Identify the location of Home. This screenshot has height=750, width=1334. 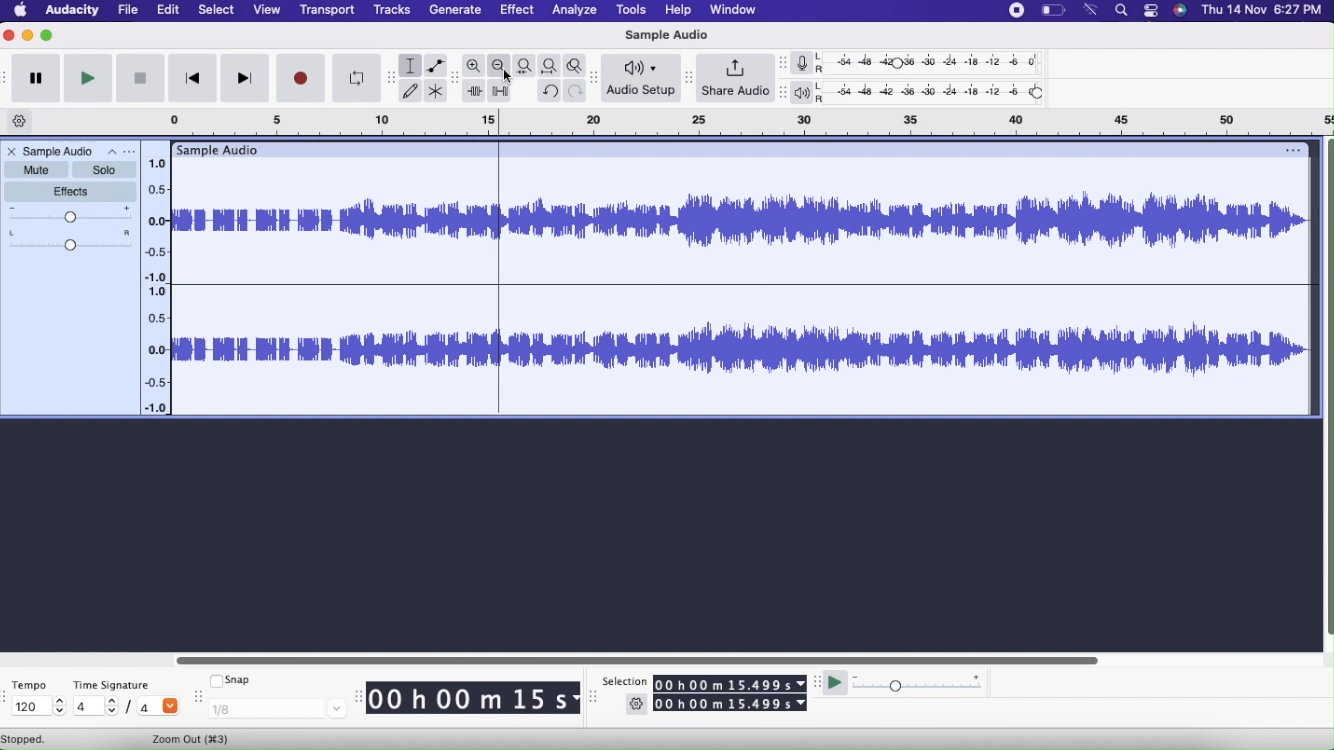
(21, 10).